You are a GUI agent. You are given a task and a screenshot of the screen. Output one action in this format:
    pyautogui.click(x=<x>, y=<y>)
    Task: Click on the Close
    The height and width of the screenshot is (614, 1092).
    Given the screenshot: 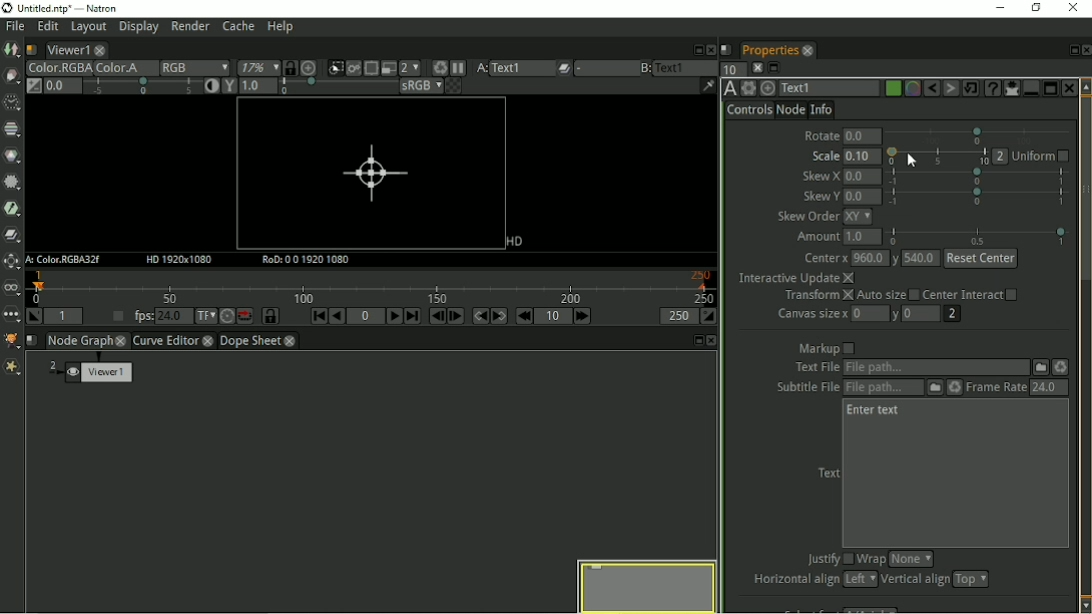 What is the action you would take?
    pyautogui.click(x=710, y=50)
    